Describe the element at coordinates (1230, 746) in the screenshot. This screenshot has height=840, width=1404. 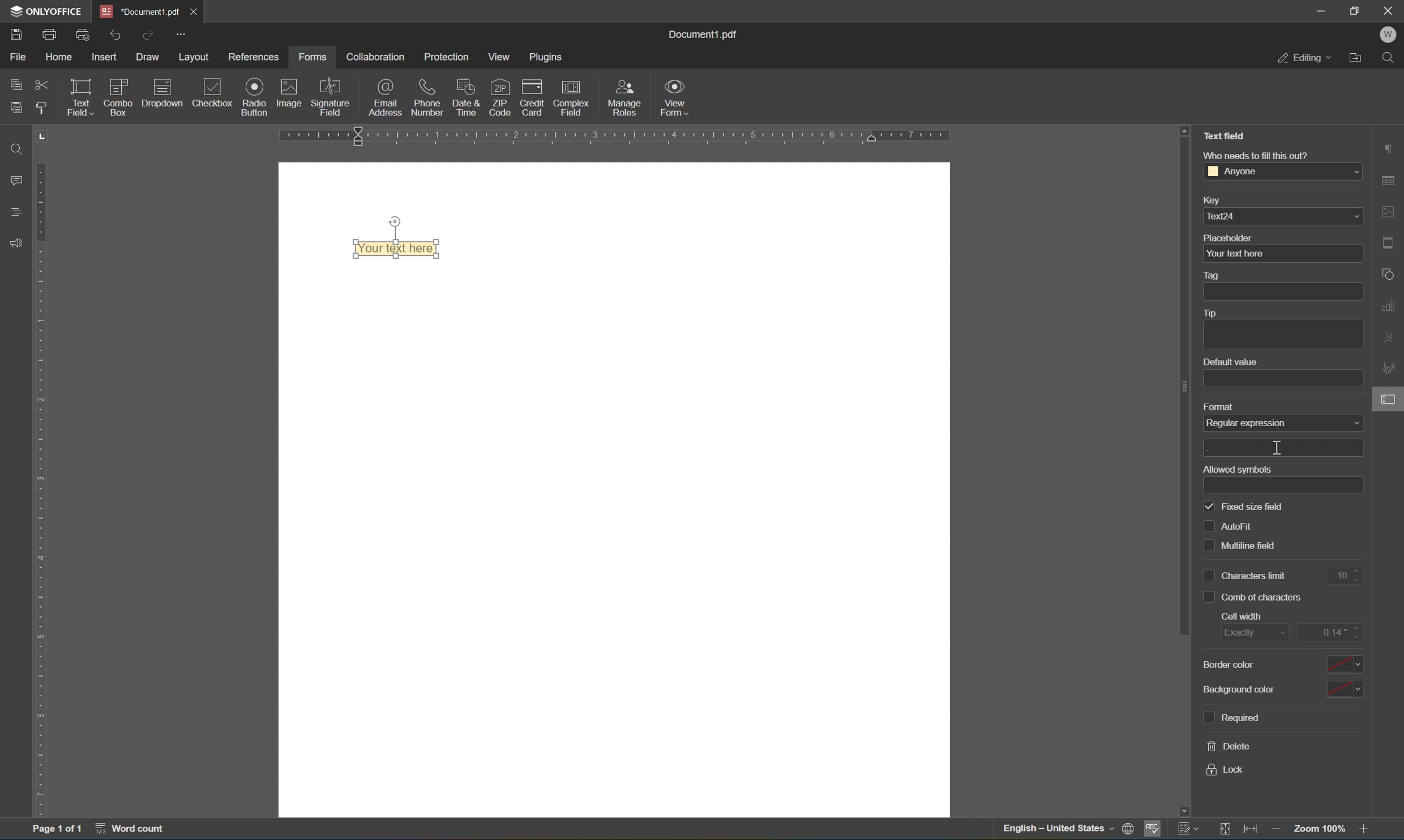
I see `delete` at that location.